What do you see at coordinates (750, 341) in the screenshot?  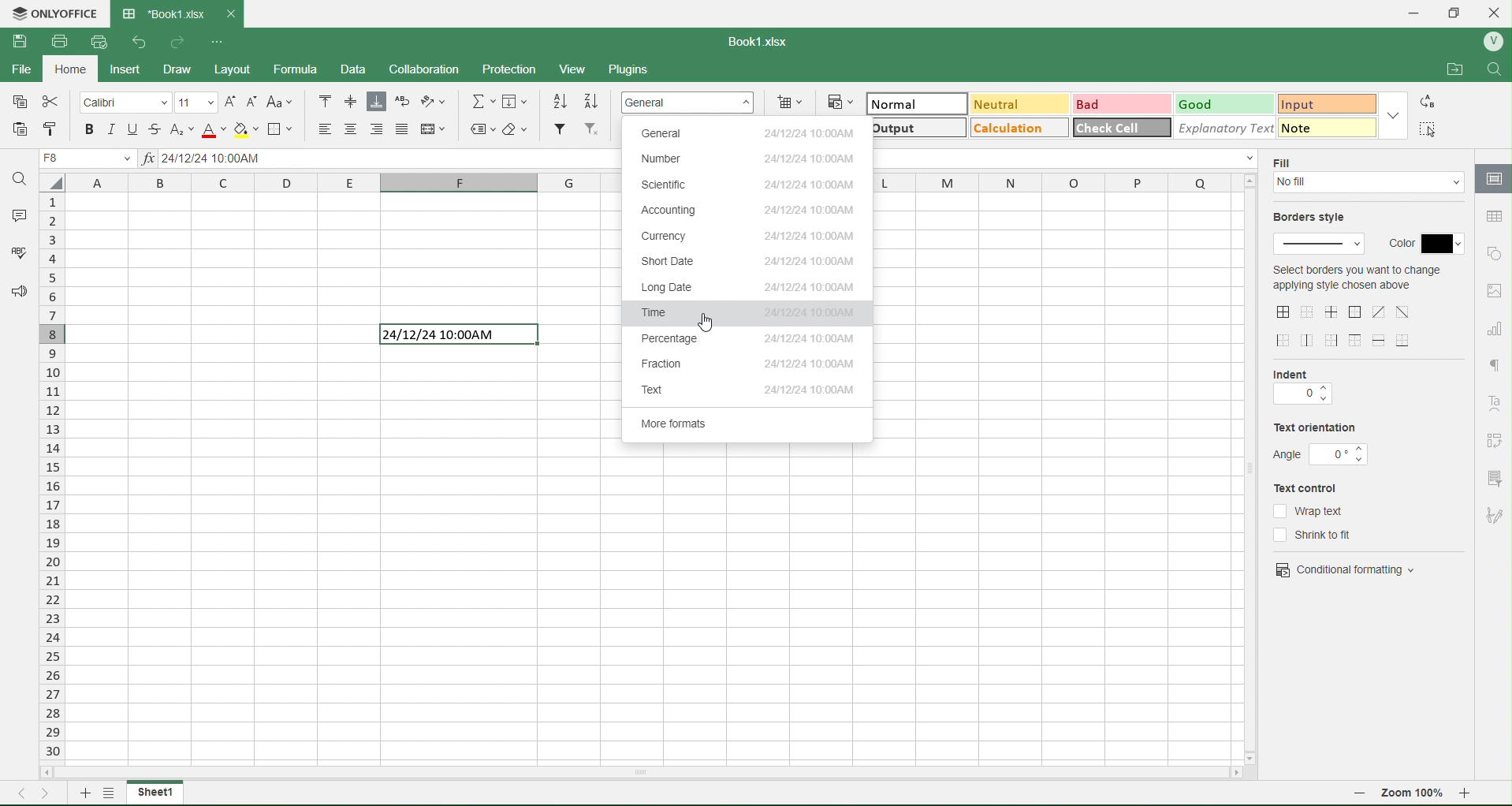 I see `Percentage` at bounding box center [750, 341].